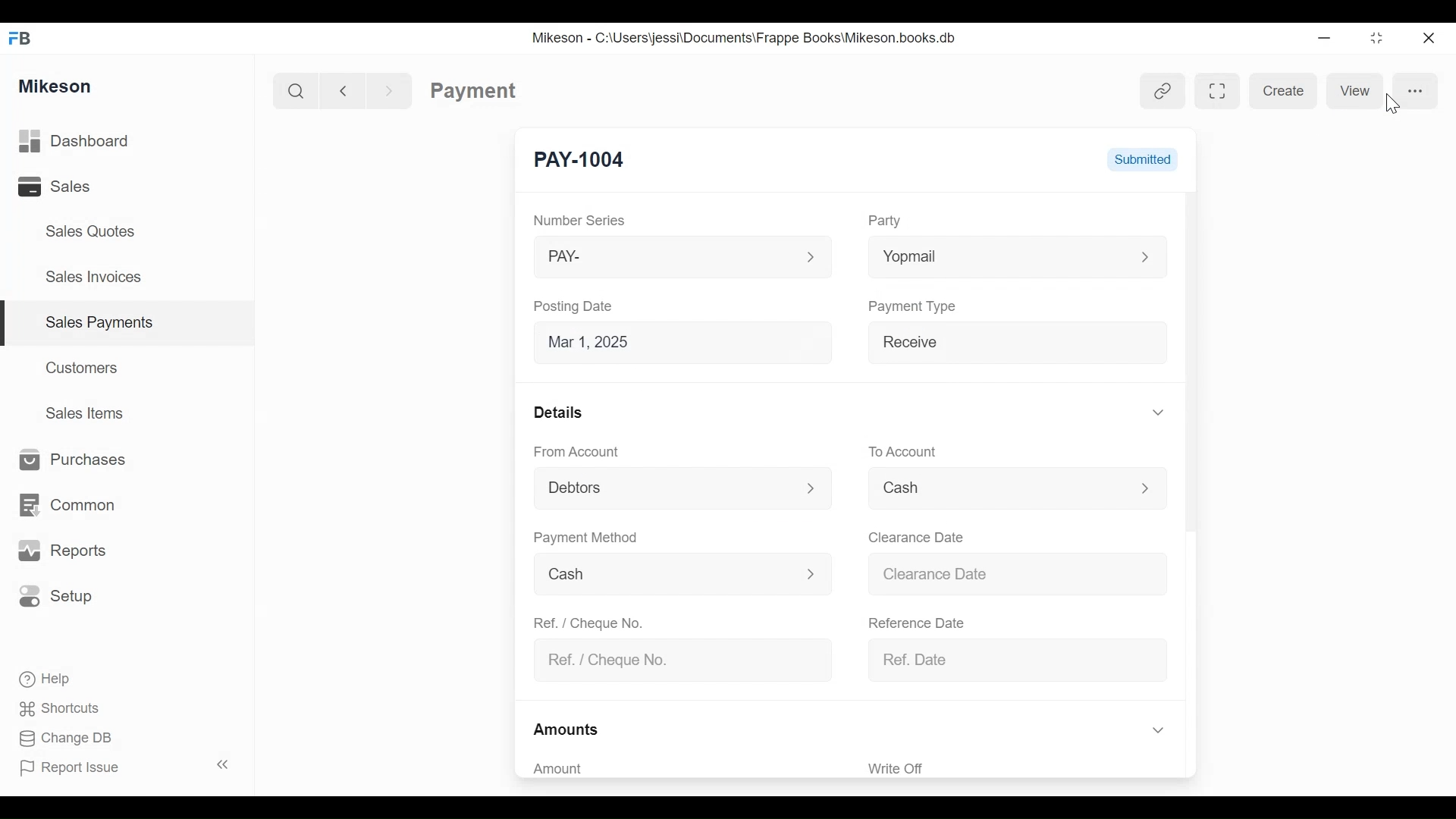 This screenshot has width=1456, height=819. I want to click on View, so click(1354, 91).